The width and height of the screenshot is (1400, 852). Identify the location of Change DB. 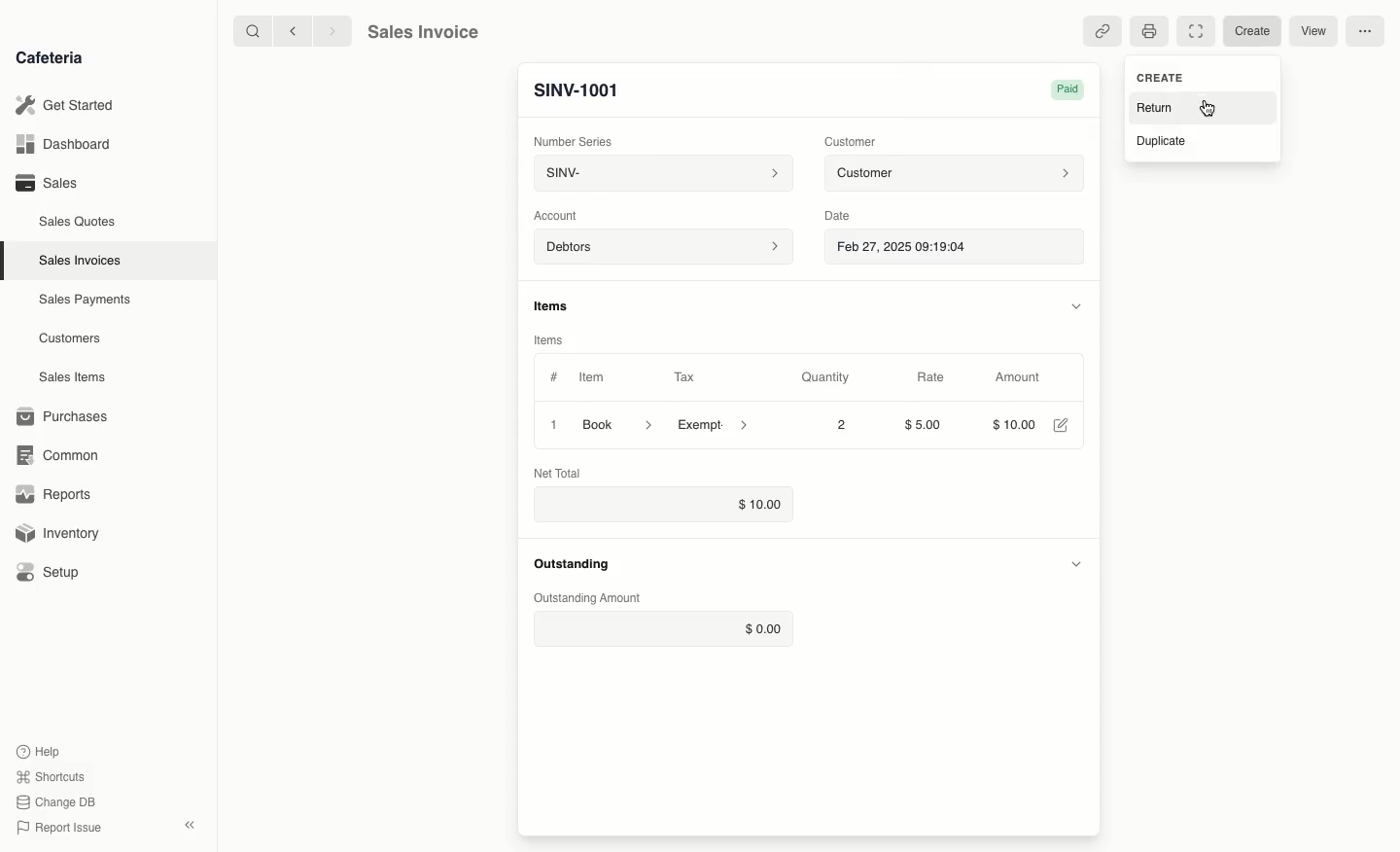
(59, 801).